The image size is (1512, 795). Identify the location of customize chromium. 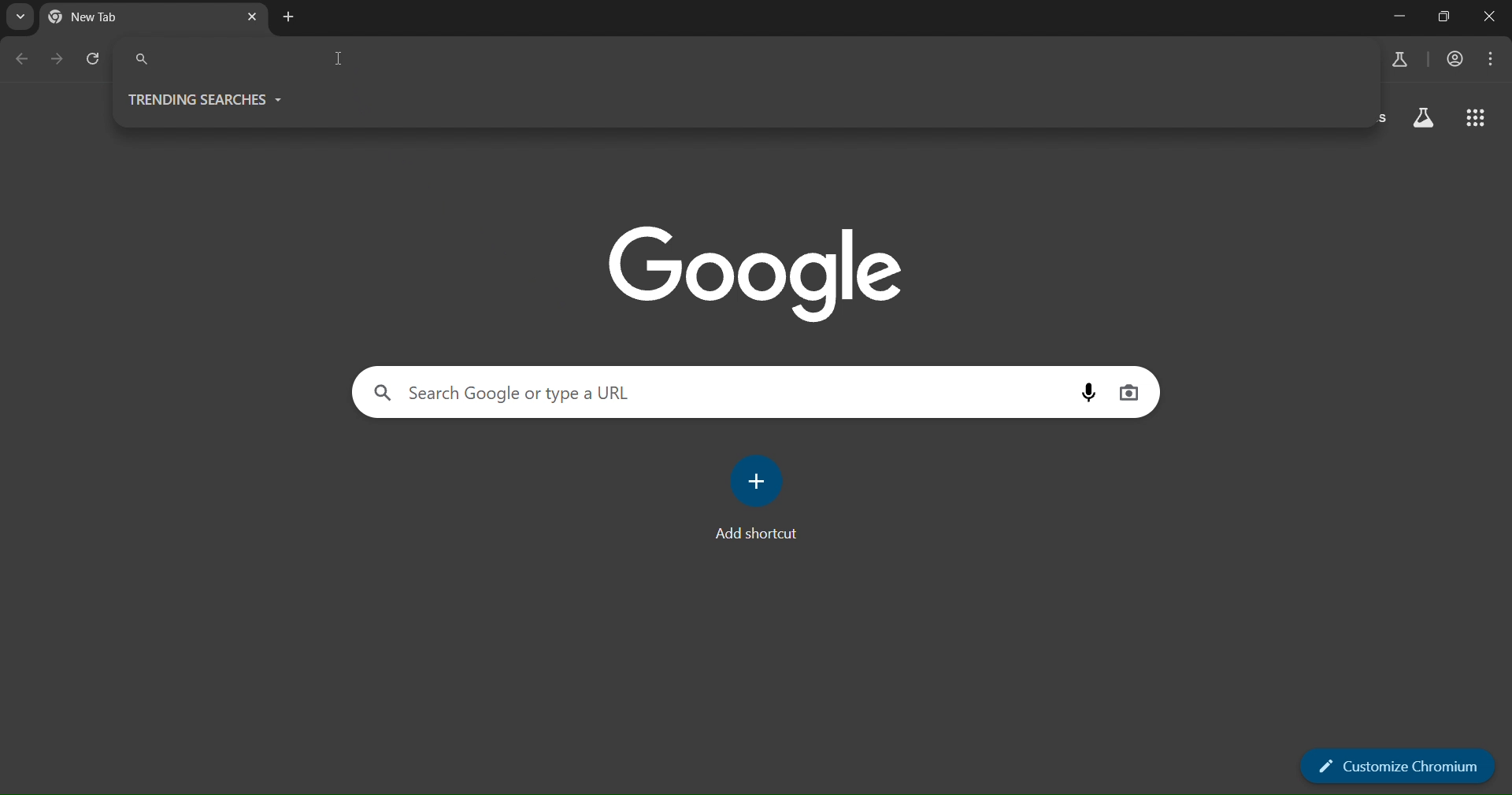
(1398, 765).